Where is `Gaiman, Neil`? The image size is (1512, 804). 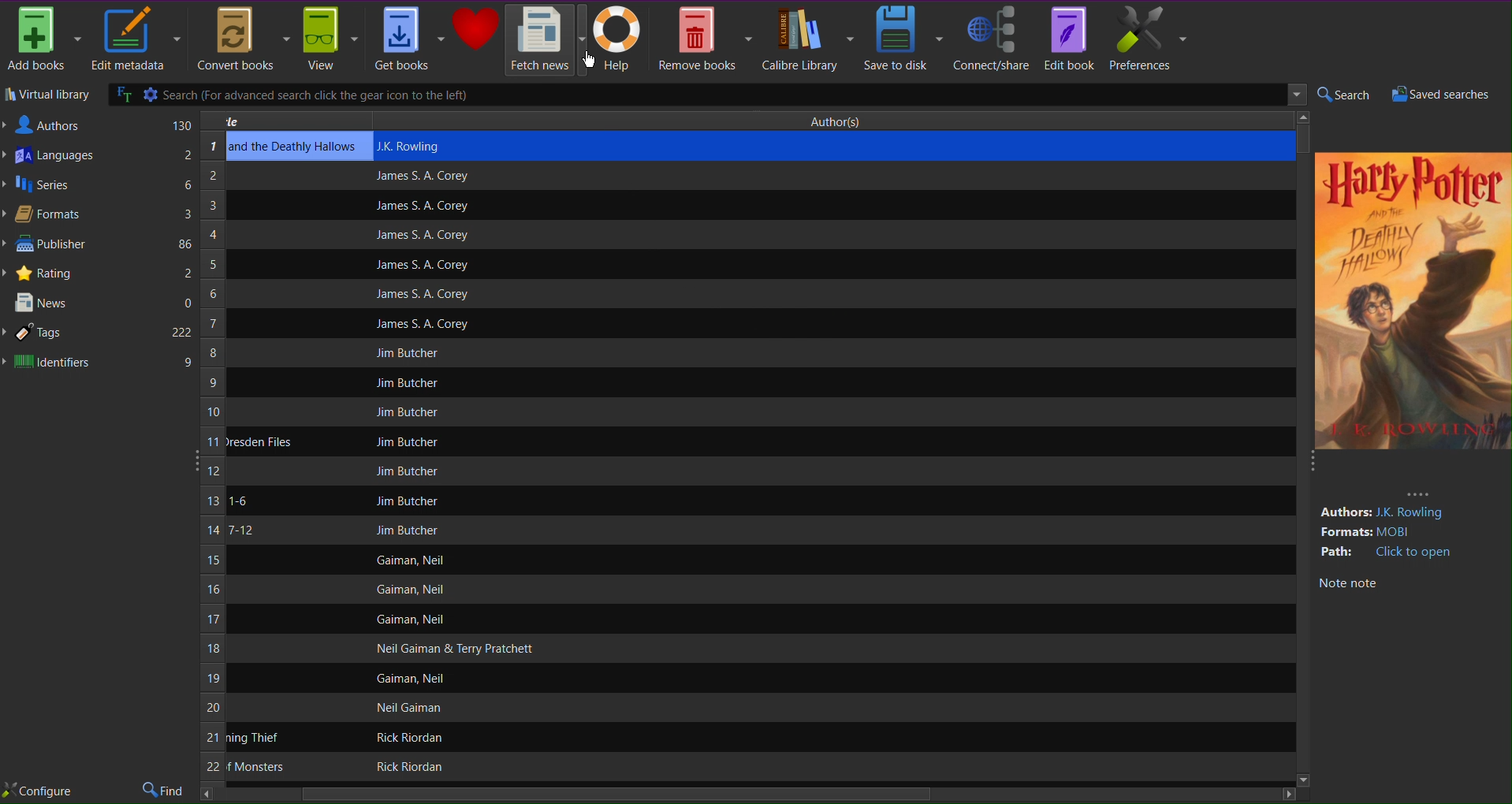
Gaiman, Neil is located at coordinates (416, 678).